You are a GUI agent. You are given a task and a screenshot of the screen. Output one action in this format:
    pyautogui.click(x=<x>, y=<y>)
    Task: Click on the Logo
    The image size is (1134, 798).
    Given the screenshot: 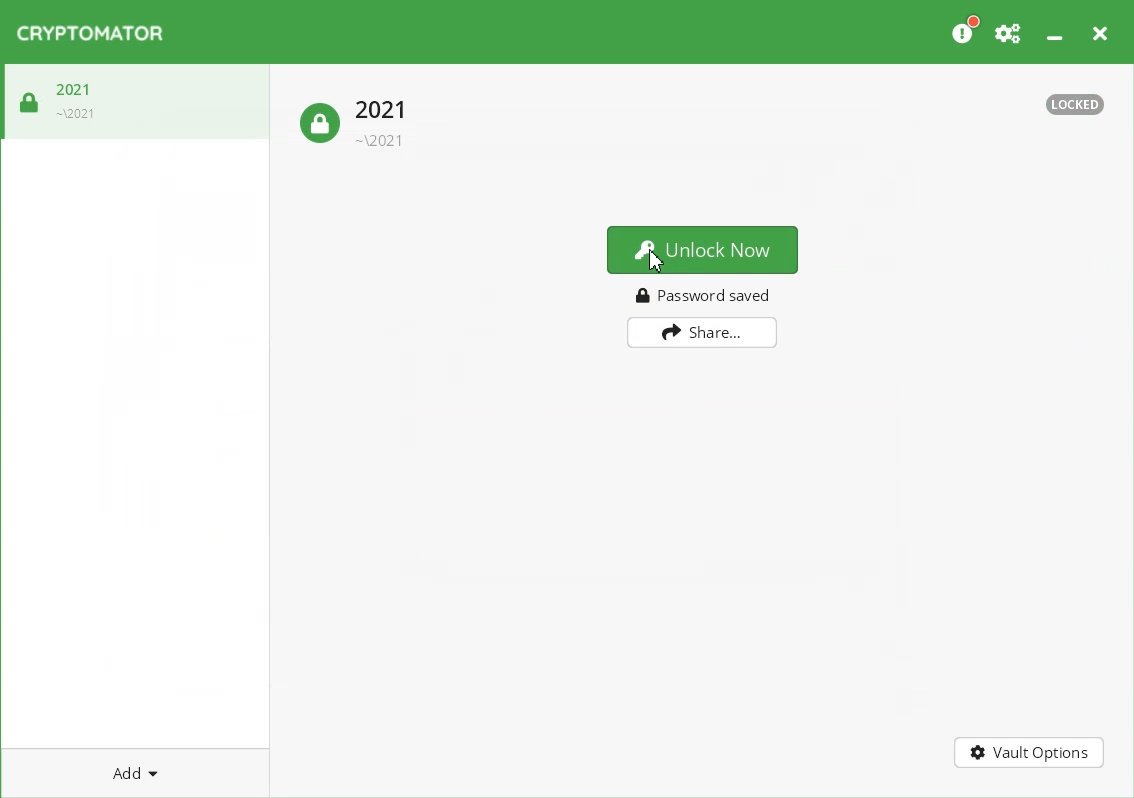 What is the action you would take?
    pyautogui.click(x=90, y=33)
    